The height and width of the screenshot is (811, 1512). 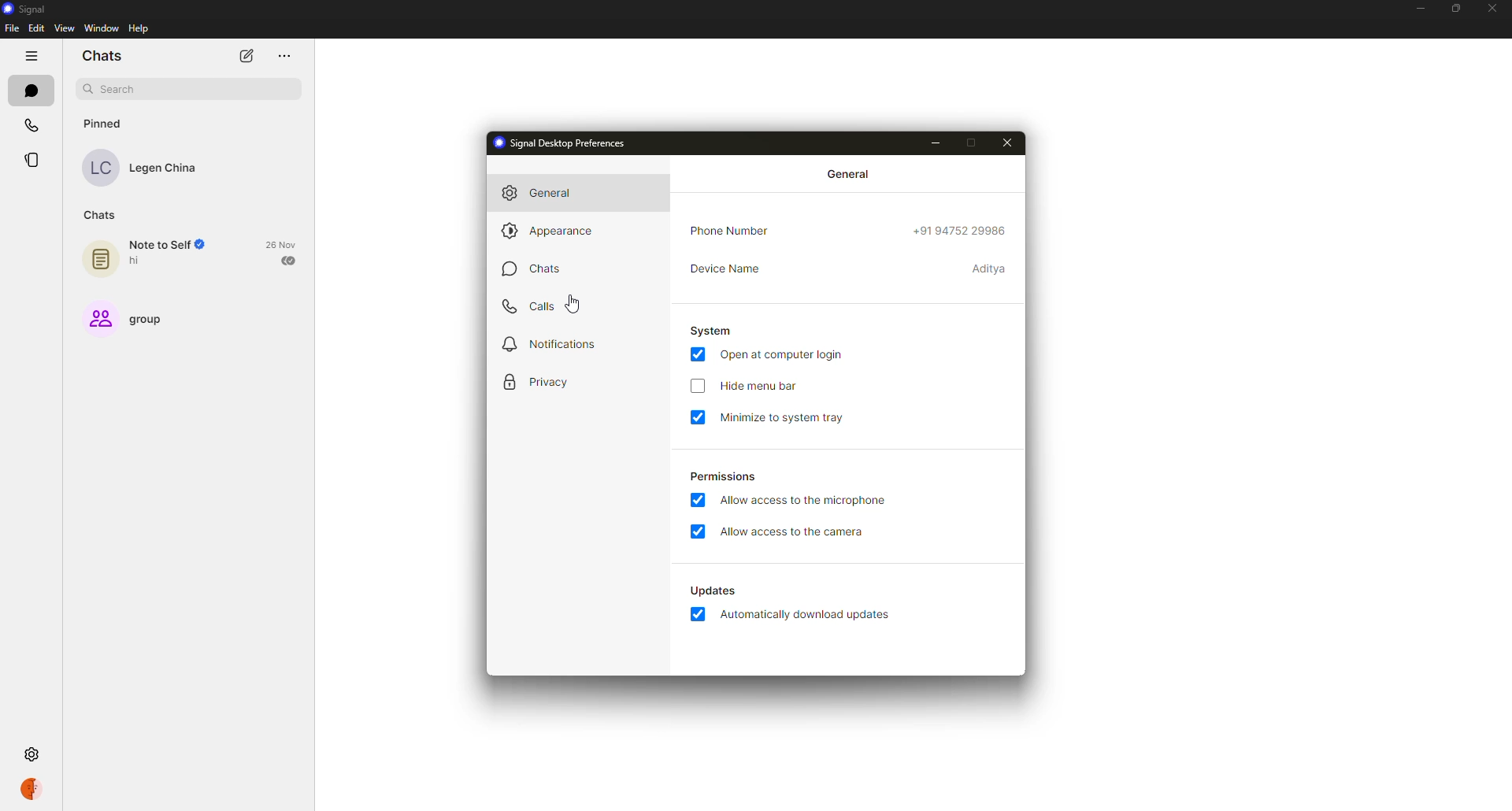 I want to click on allow access to camera, so click(x=800, y=531).